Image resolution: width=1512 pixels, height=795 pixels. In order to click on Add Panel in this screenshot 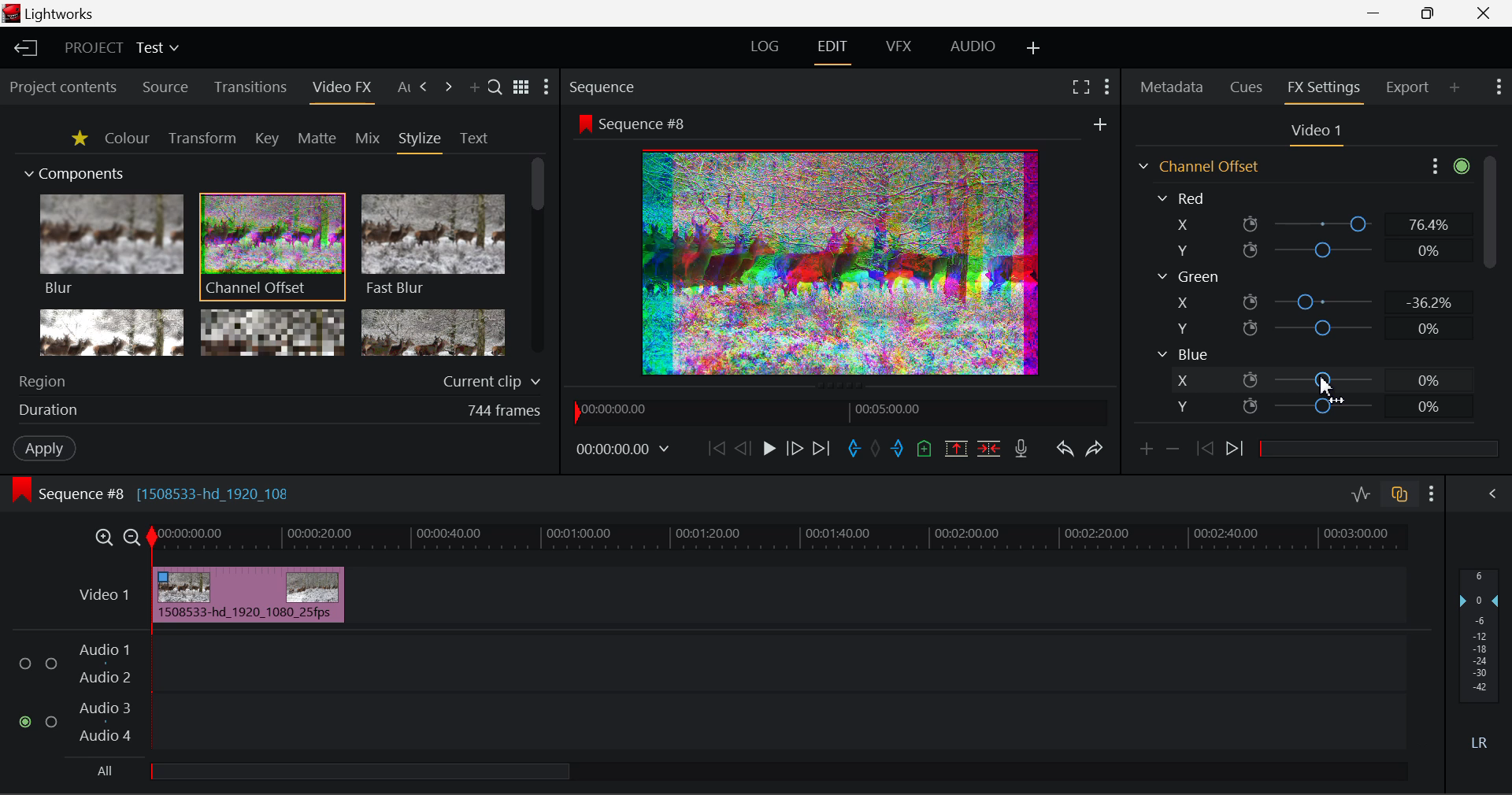, I will do `click(474, 89)`.